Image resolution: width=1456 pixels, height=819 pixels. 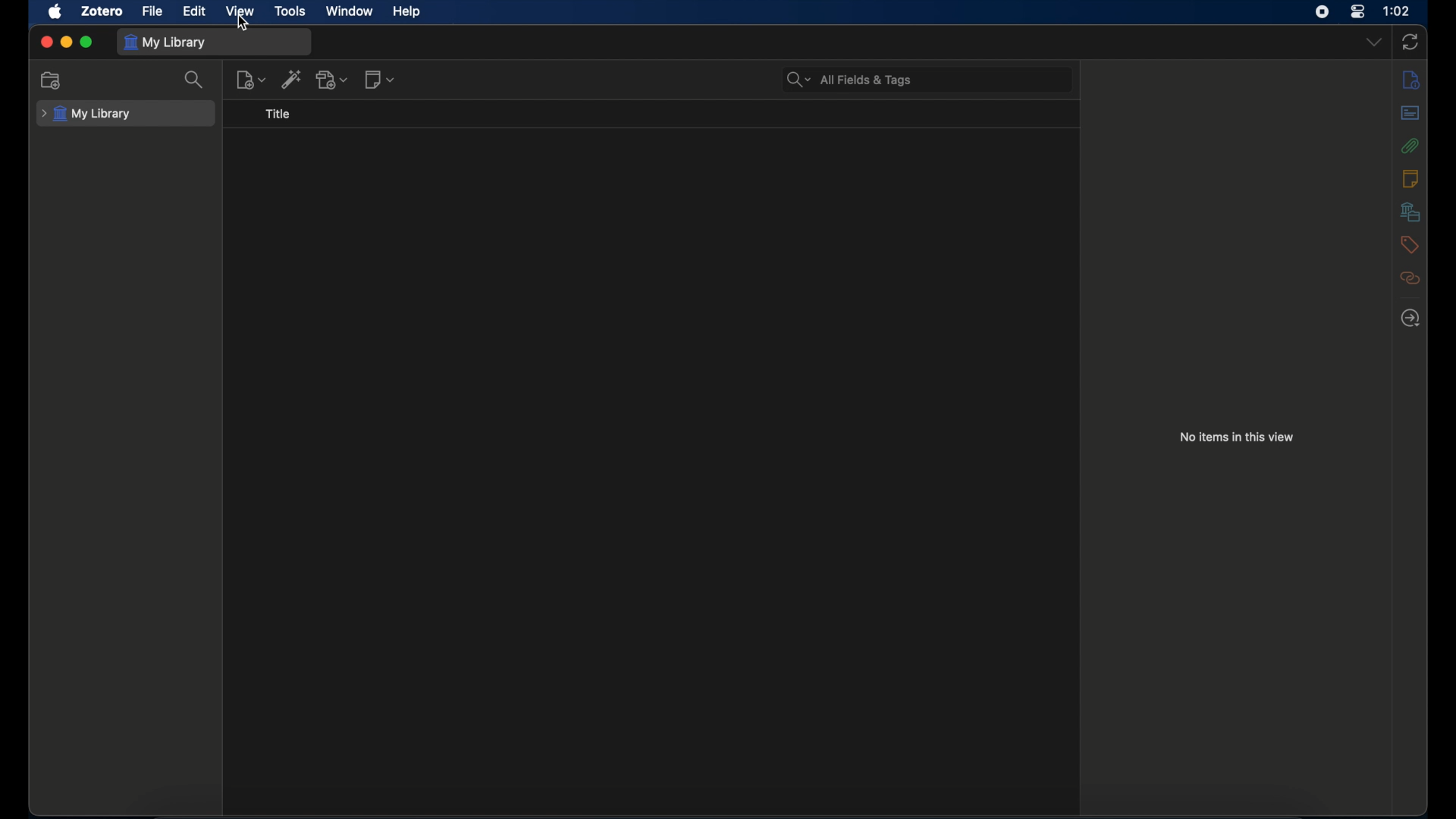 What do you see at coordinates (1410, 146) in the screenshot?
I see `attachments` at bounding box center [1410, 146].